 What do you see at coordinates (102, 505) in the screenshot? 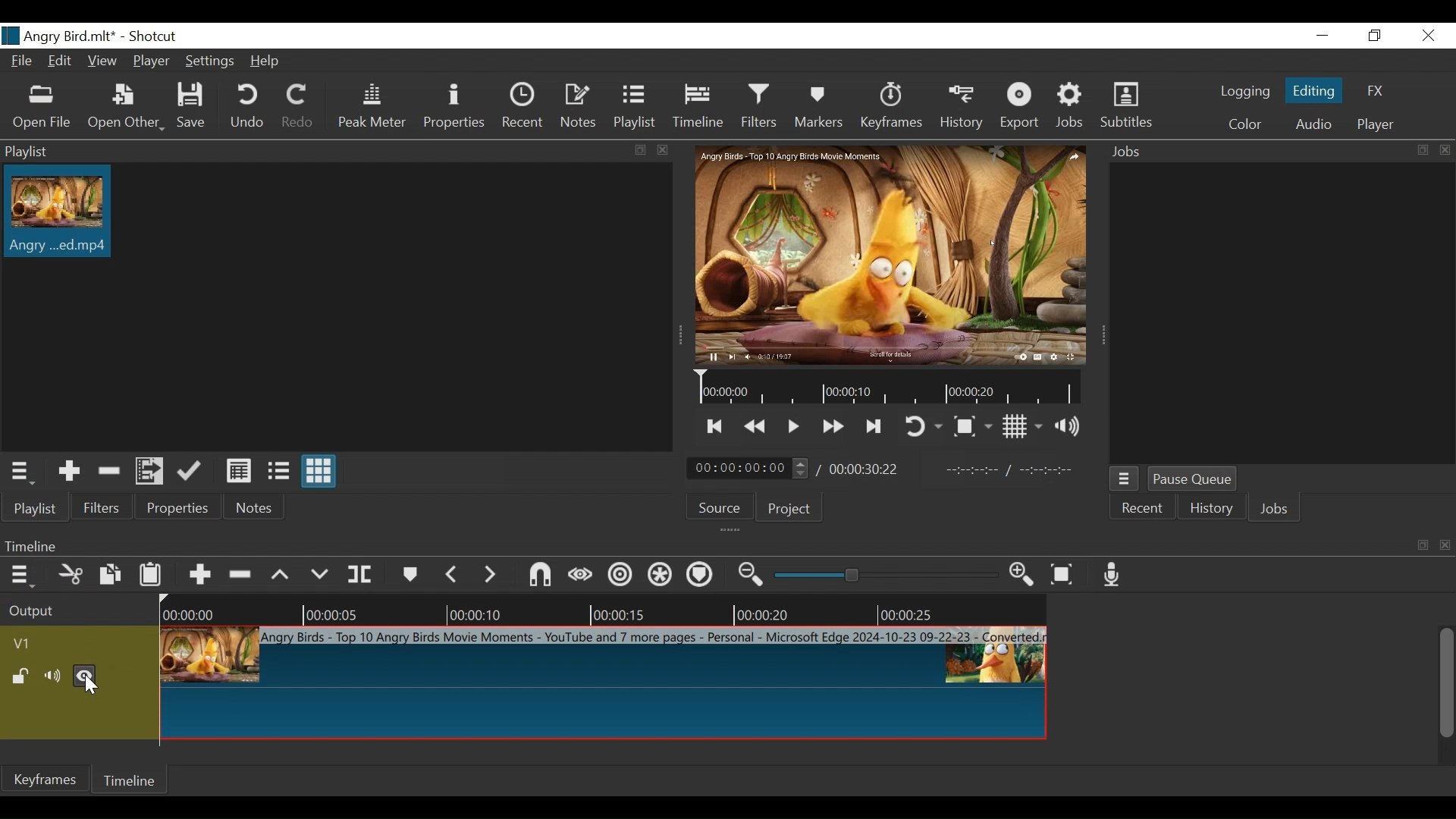
I see `Filters` at bounding box center [102, 505].